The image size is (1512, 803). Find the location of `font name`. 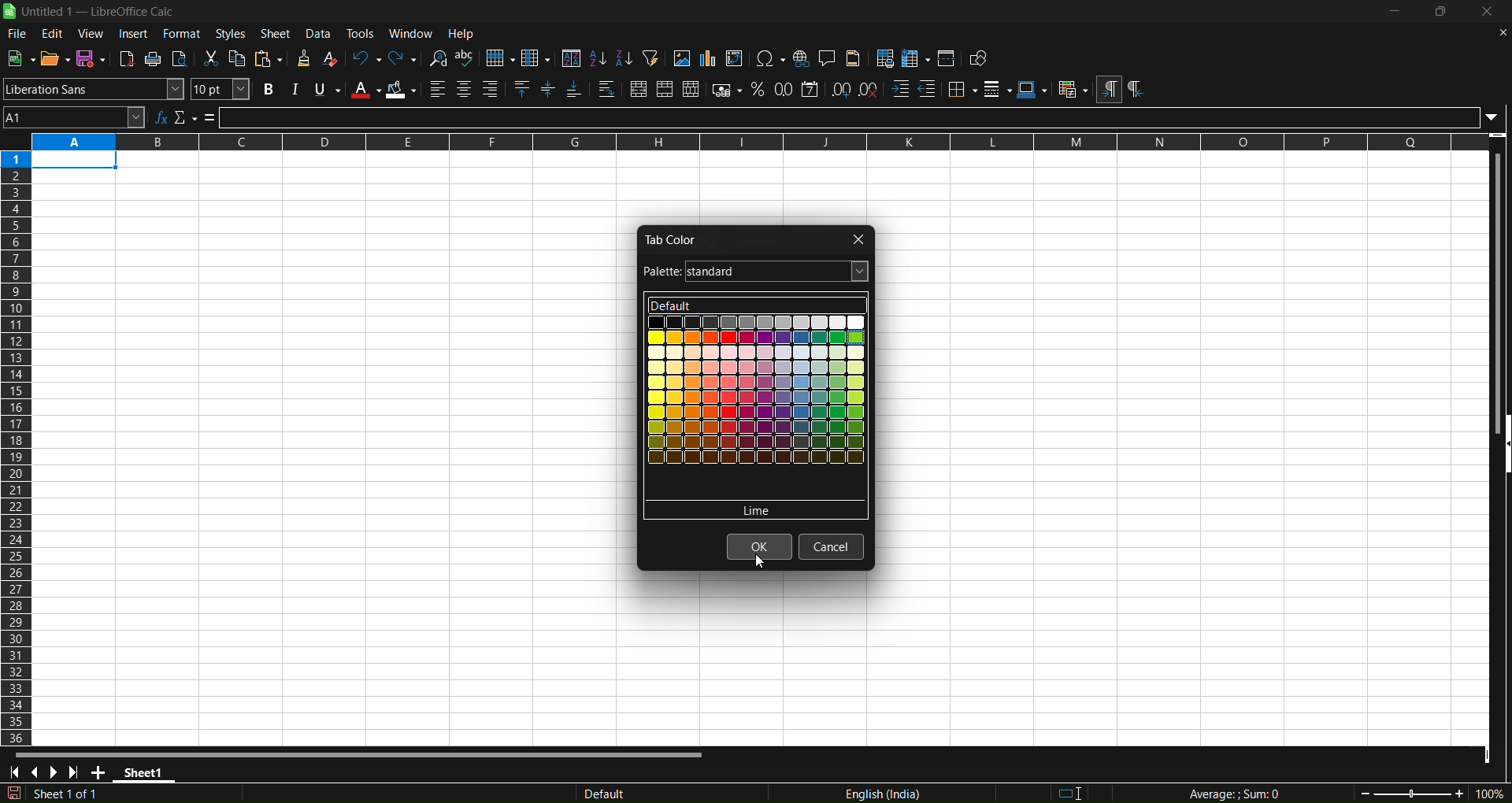

font name is located at coordinates (94, 88).